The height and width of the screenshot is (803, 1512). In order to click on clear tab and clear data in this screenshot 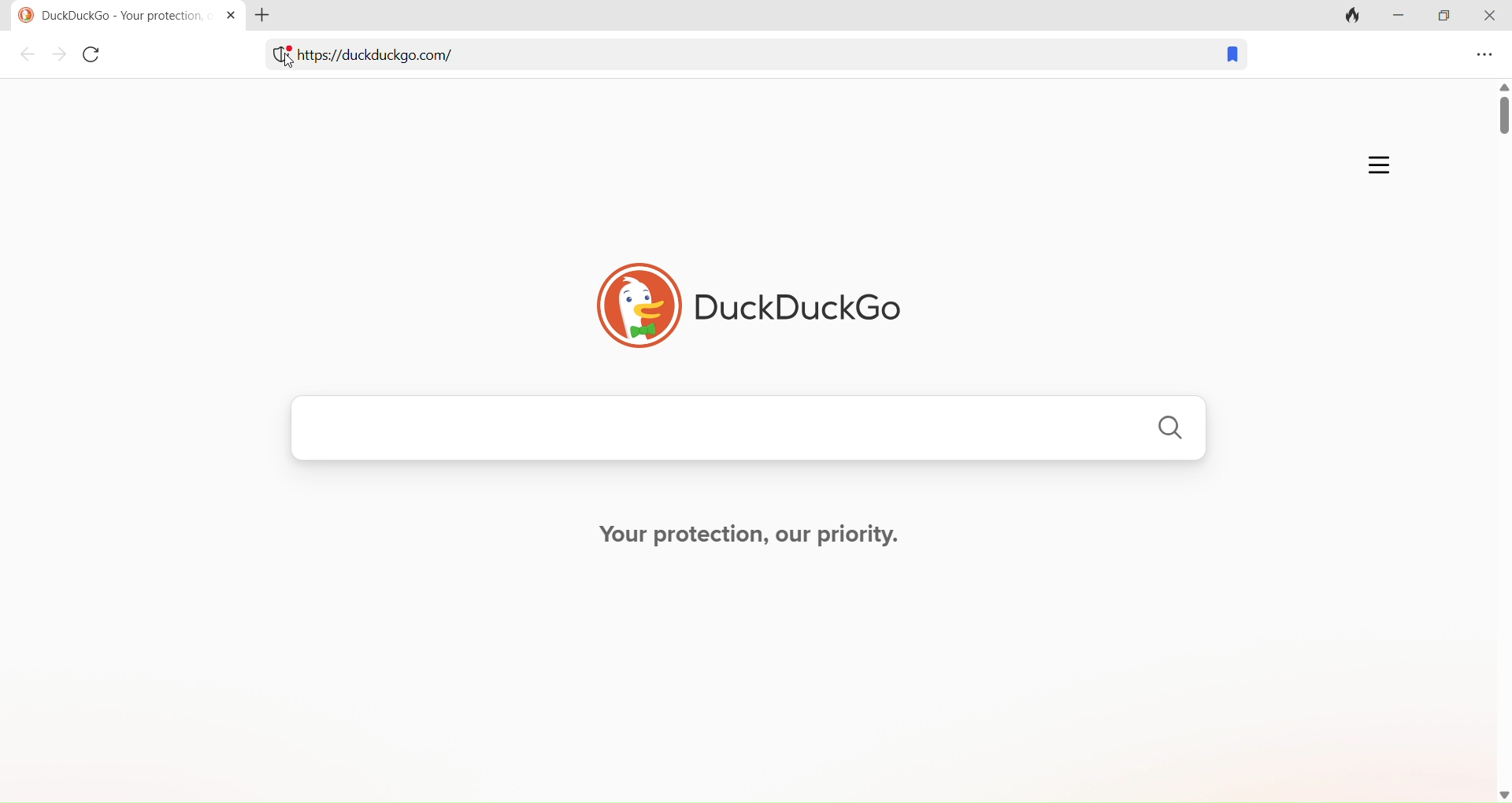, I will do `click(1354, 15)`.